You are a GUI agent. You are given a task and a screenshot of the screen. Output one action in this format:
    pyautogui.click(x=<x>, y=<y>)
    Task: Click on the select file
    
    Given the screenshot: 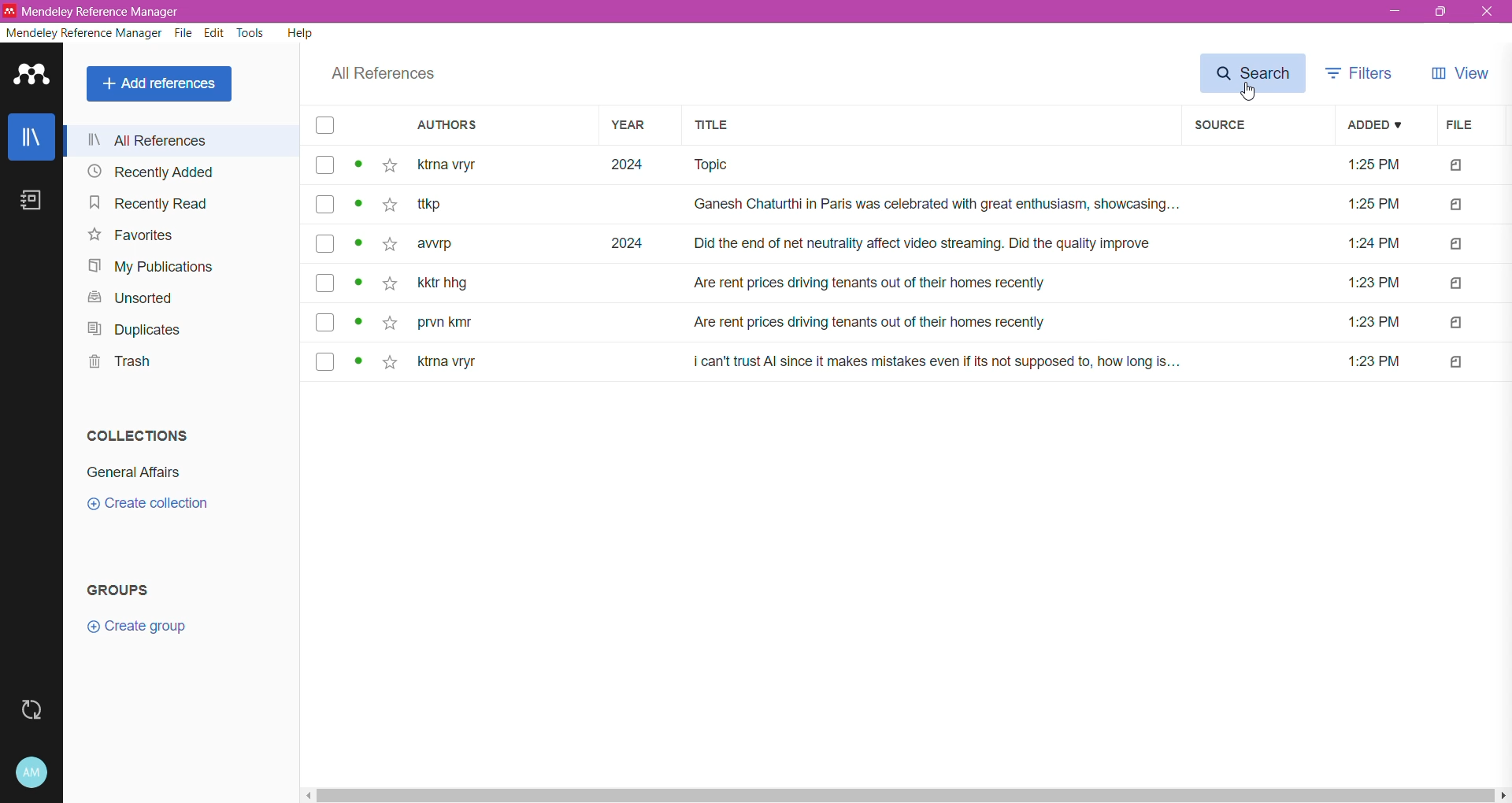 What is the action you would take?
    pyautogui.click(x=324, y=242)
    